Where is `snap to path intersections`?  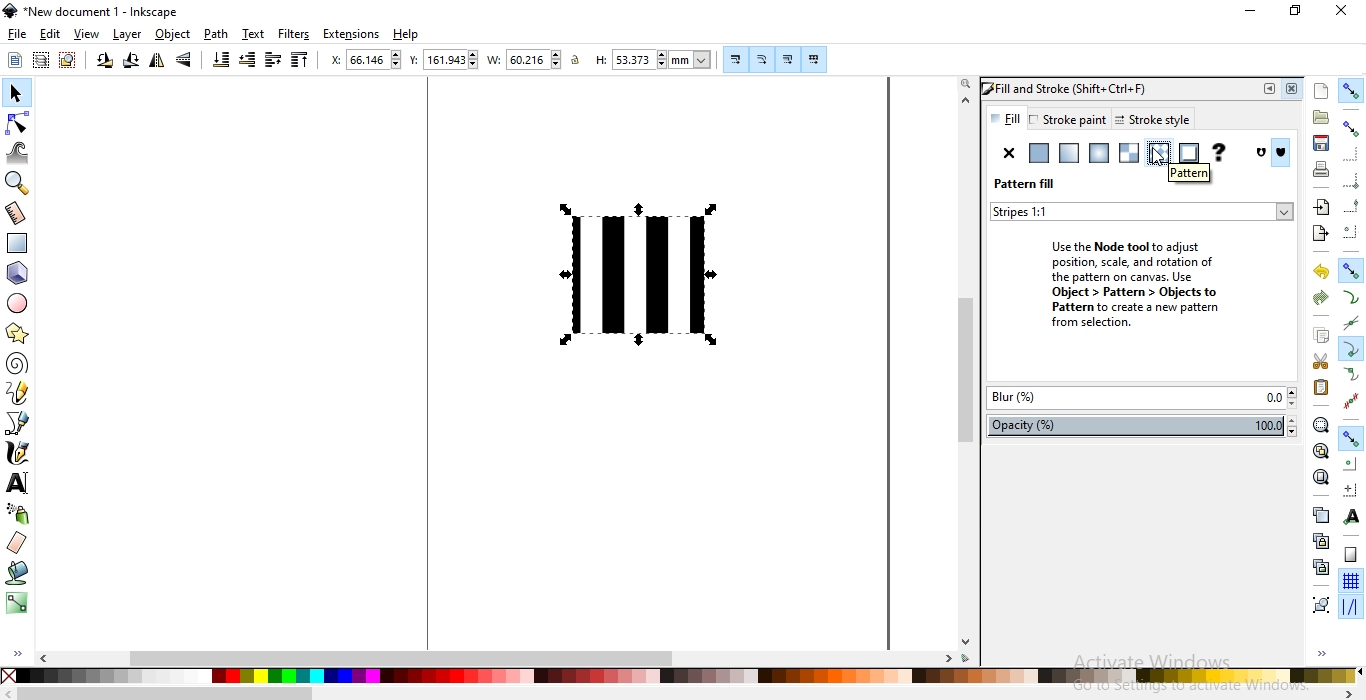
snap to path intersections is located at coordinates (1350, 324).